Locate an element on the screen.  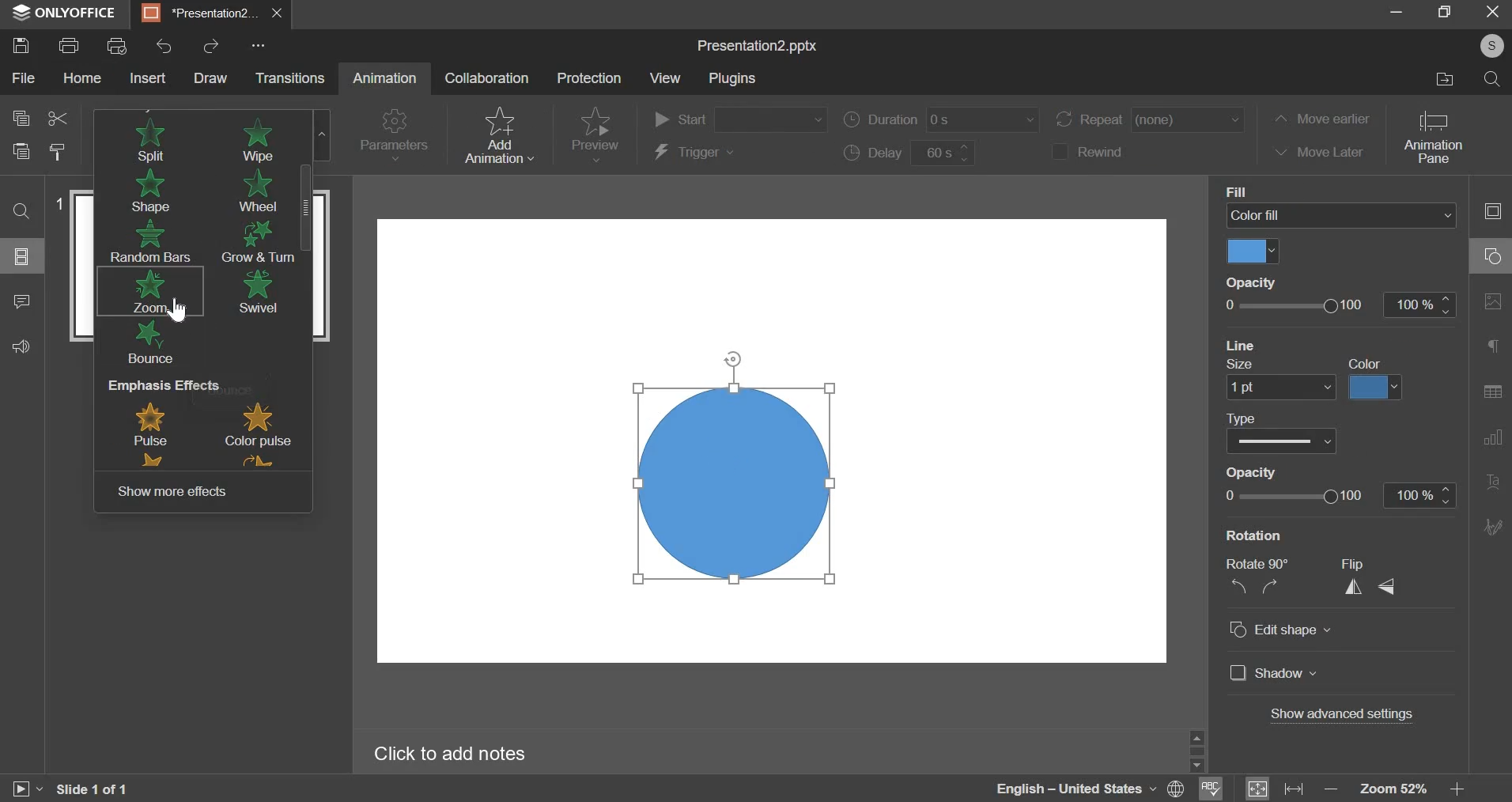
opacity is located at coordinates (1340, 494).